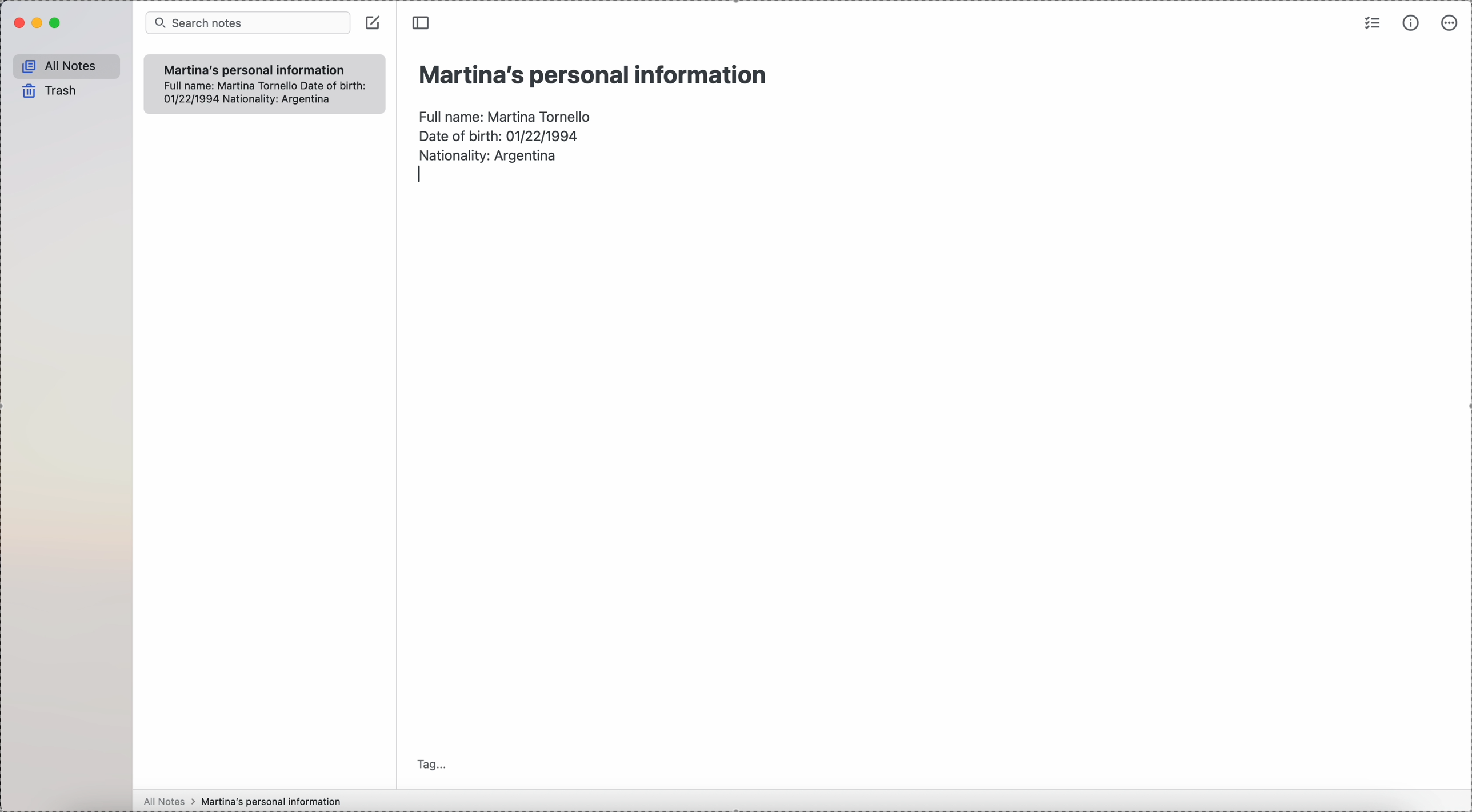  What do you see at coordinates (490, 154) in the screenshot?
I see `Nationality` at bounding box center [490, 154].